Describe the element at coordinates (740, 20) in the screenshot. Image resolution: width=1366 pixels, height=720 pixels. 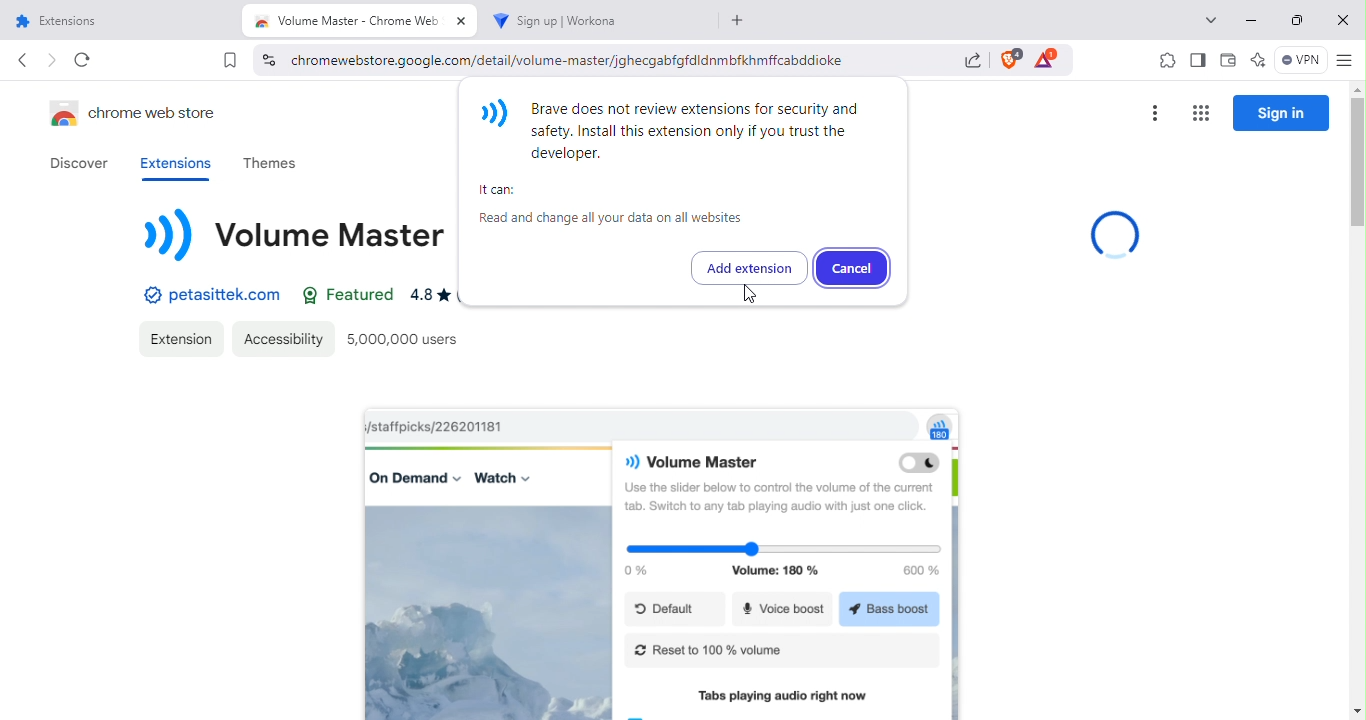
I see `new tab ` at that location.